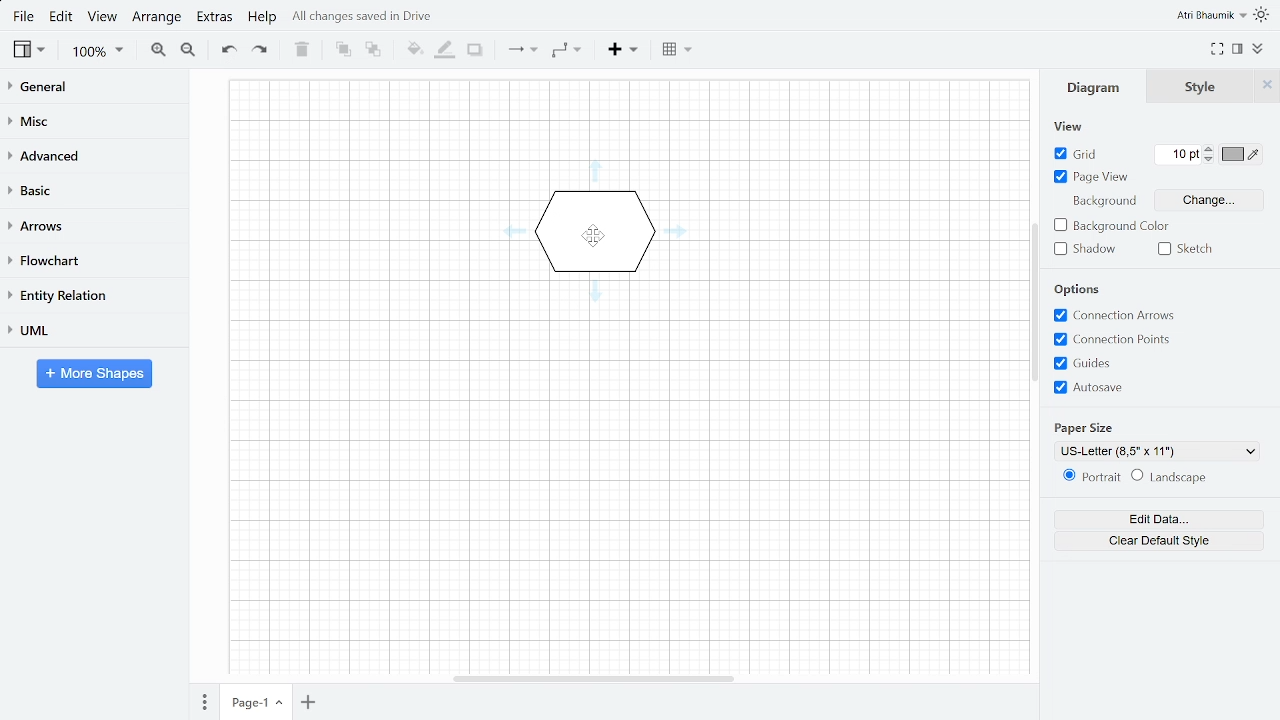  I want to click on To back, so click(374, 51).